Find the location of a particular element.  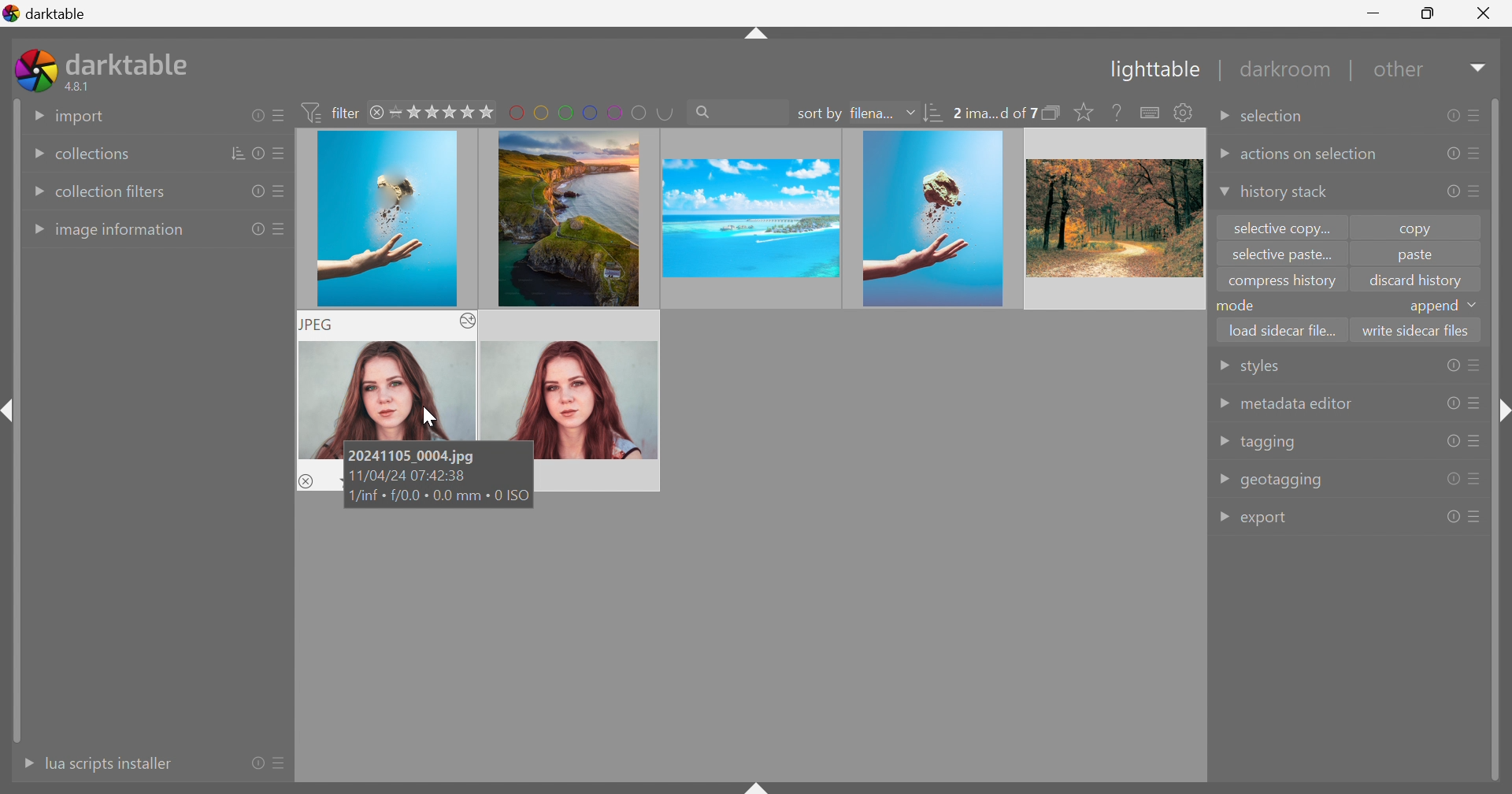

Drop Down is located at coordinates (1224, 477).